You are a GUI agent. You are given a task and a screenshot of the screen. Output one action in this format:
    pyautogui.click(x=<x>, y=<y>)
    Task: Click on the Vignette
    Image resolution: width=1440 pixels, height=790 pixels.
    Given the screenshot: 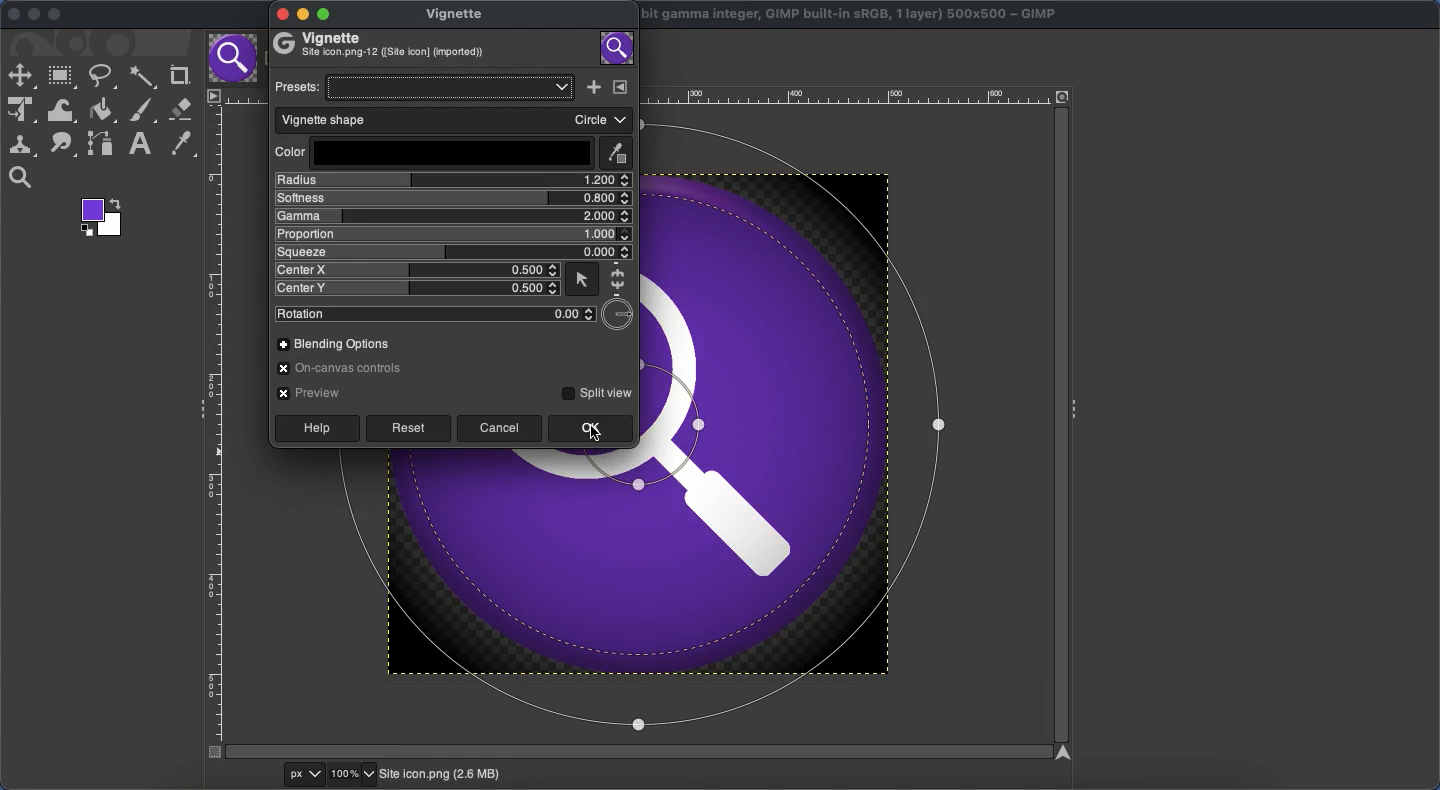 What is the action you would take?
    pyautogui.click(x=457, y=12)
    